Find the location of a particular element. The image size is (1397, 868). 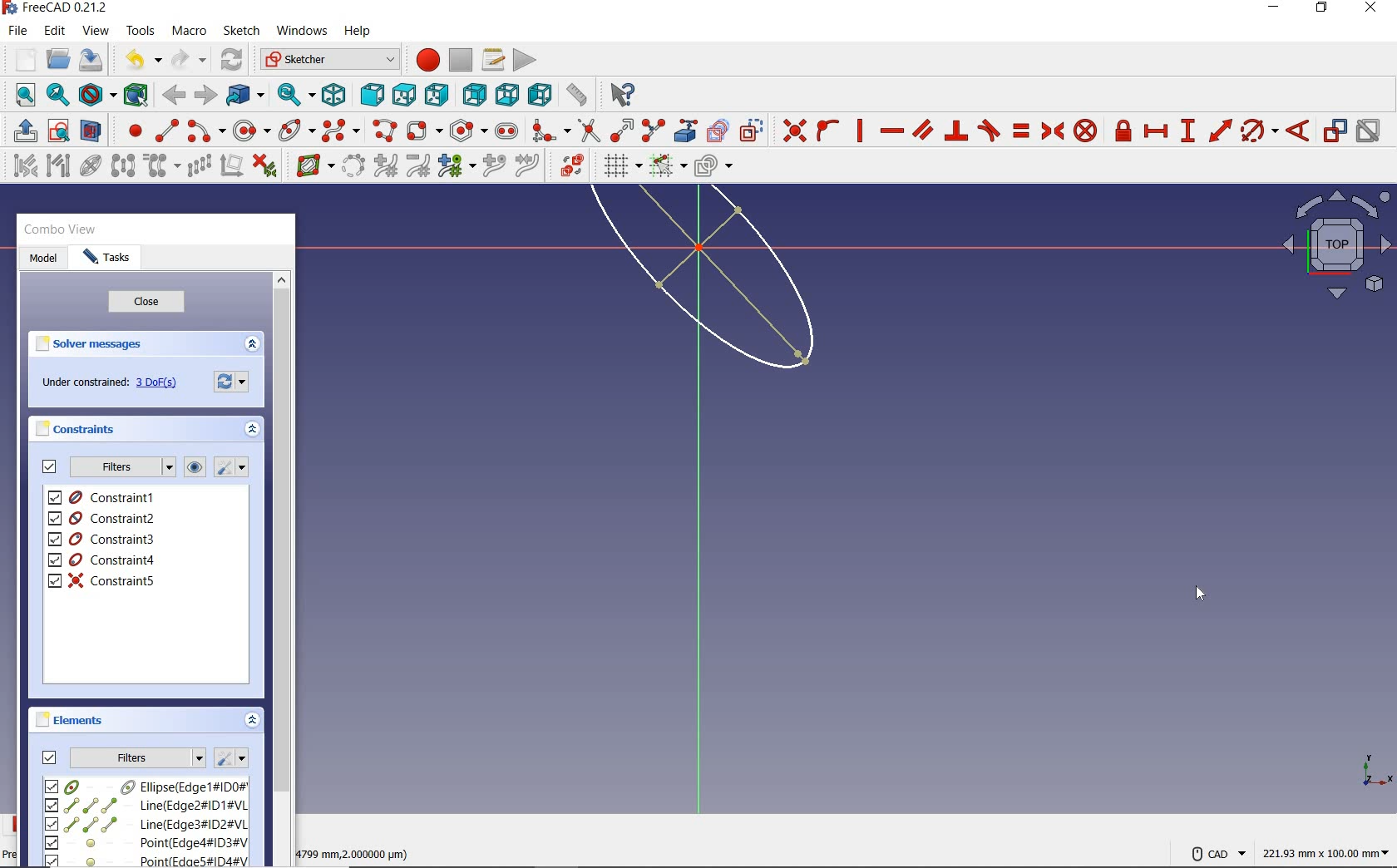

convert geometry to B-spline is located at coordinates (353, 167).